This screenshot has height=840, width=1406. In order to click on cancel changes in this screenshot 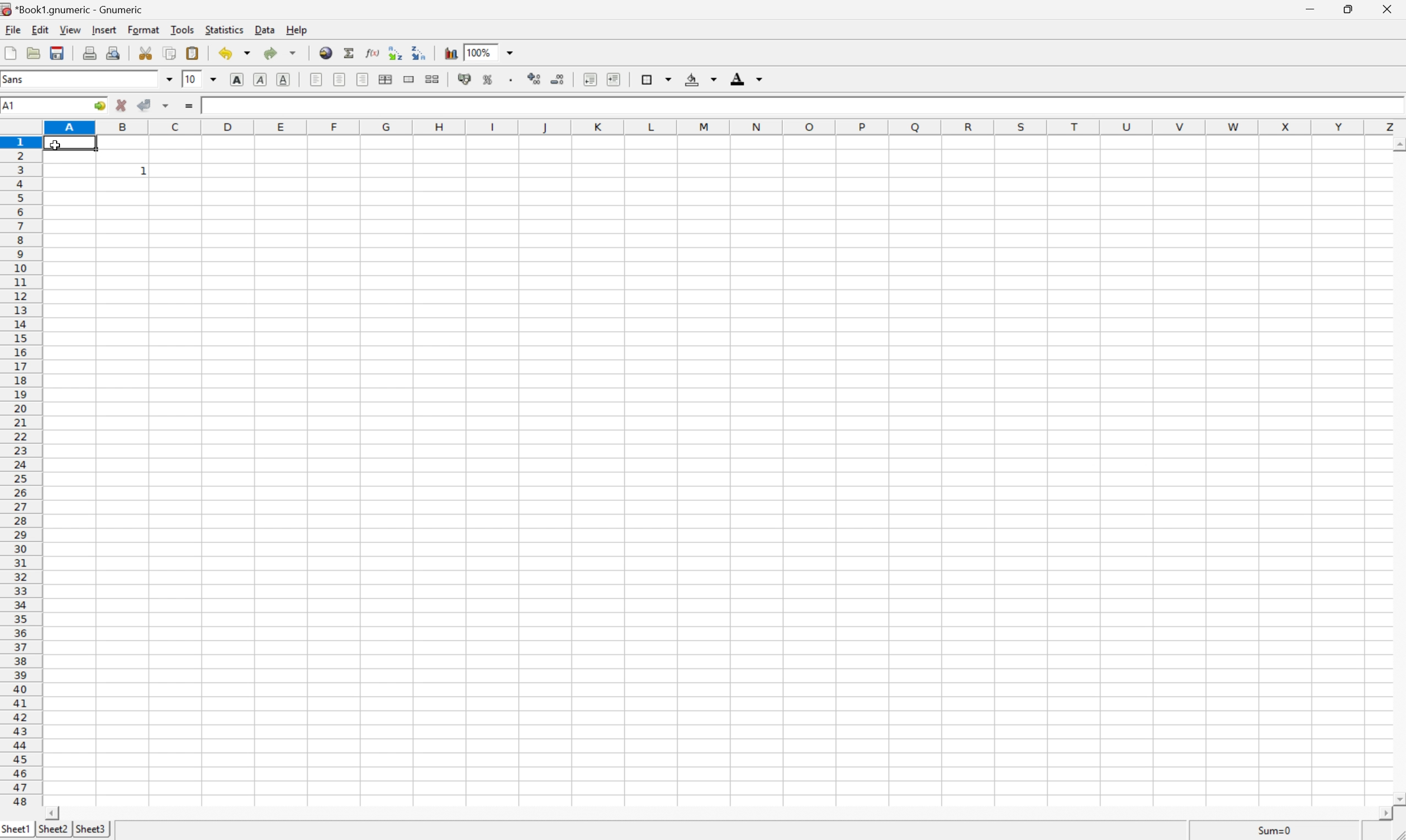, I will do `click(122, 104)`.